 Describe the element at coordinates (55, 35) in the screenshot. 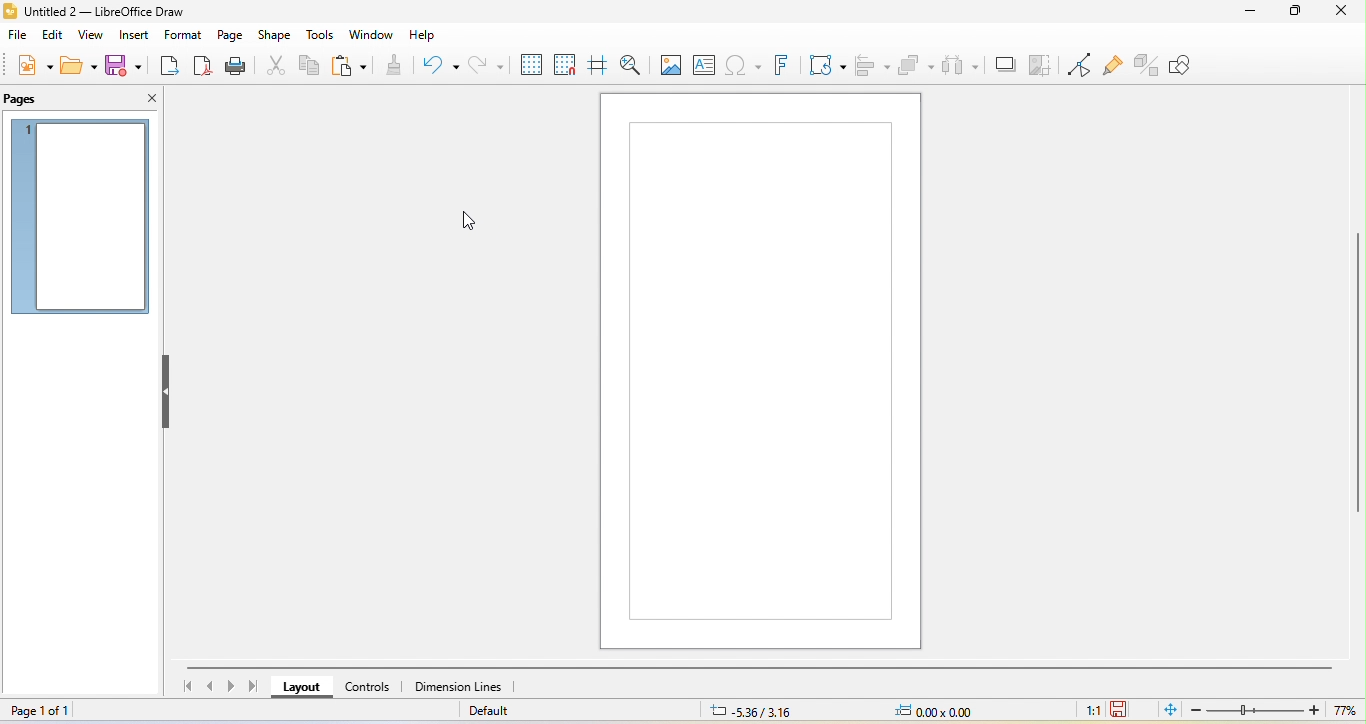

I see `edit` at that location.